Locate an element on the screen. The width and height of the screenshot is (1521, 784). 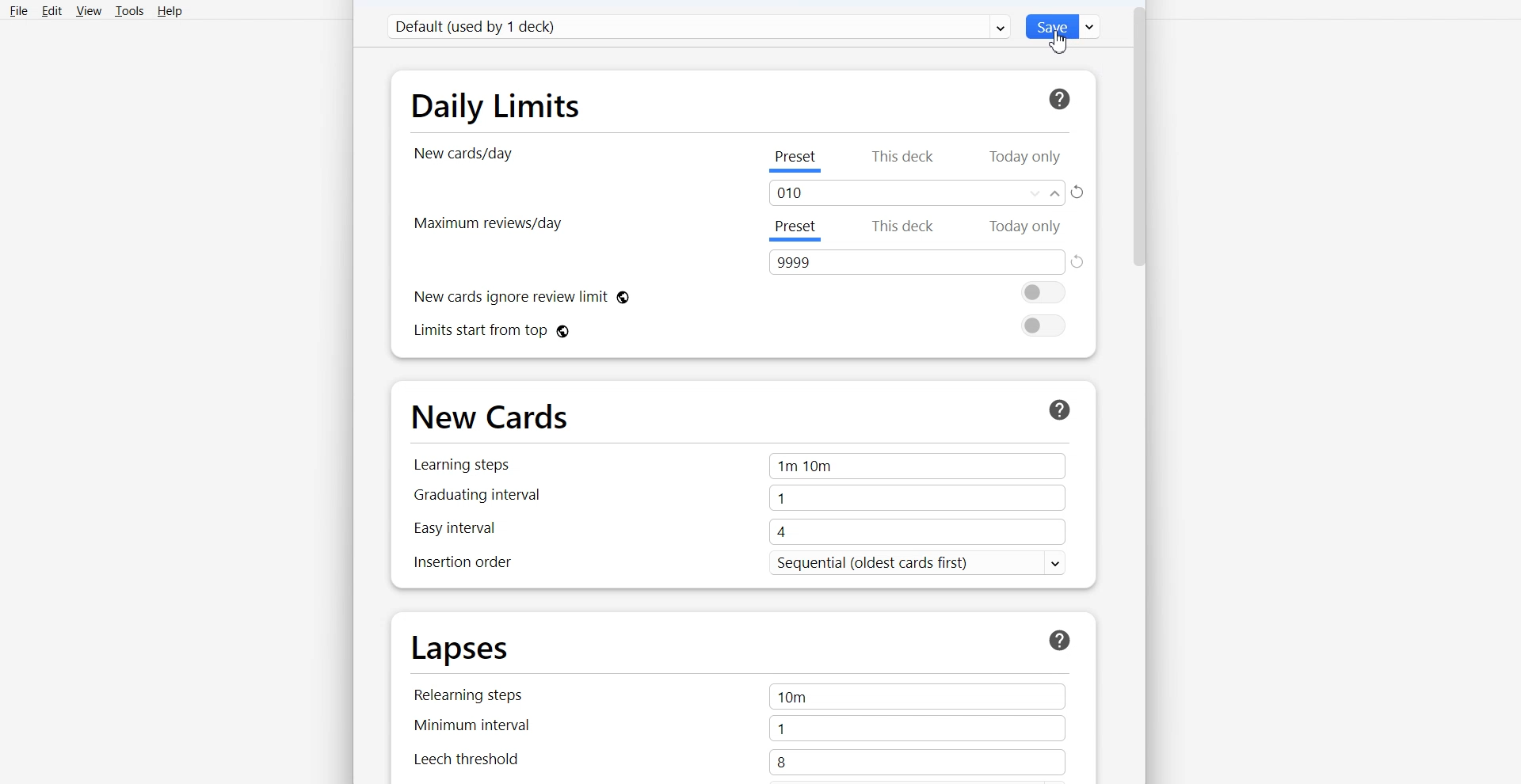
1m 10m is located at coordinates (912, 466).